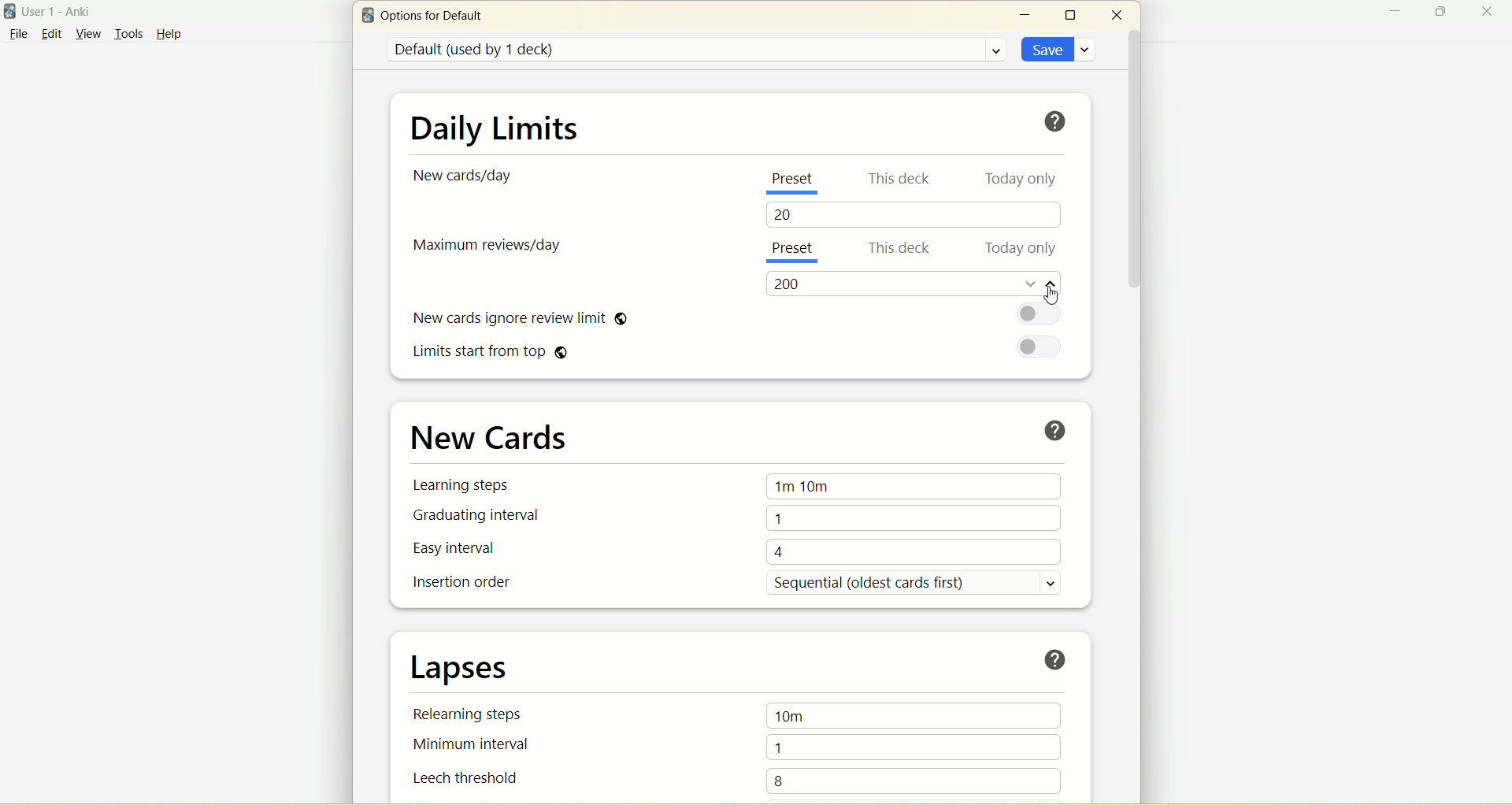 This screenshot has width=1512, height=805. Describe the element at coordinates (1395, 9) in the screenshot. I see `minimize` at that location.